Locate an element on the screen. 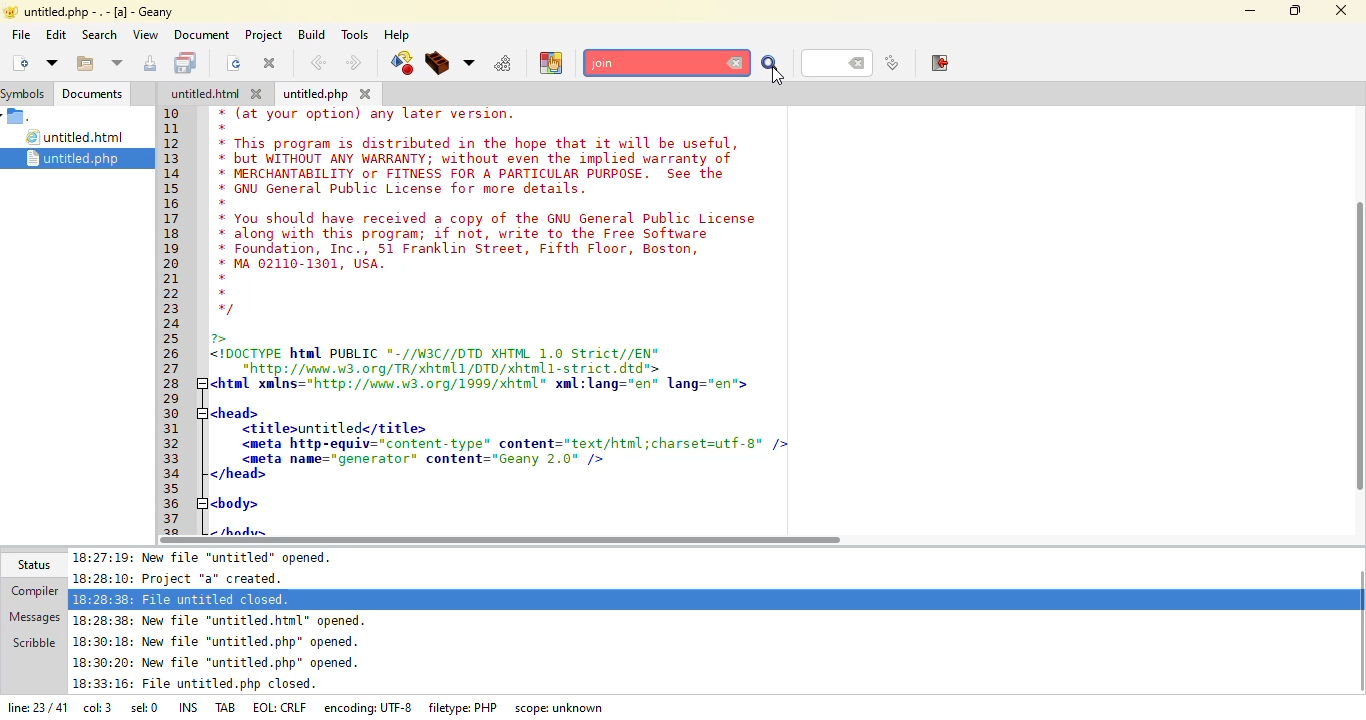 This screenshot has height=720, width=1366. * GNU General Public License for more details. is located at coordinates (404, 190).